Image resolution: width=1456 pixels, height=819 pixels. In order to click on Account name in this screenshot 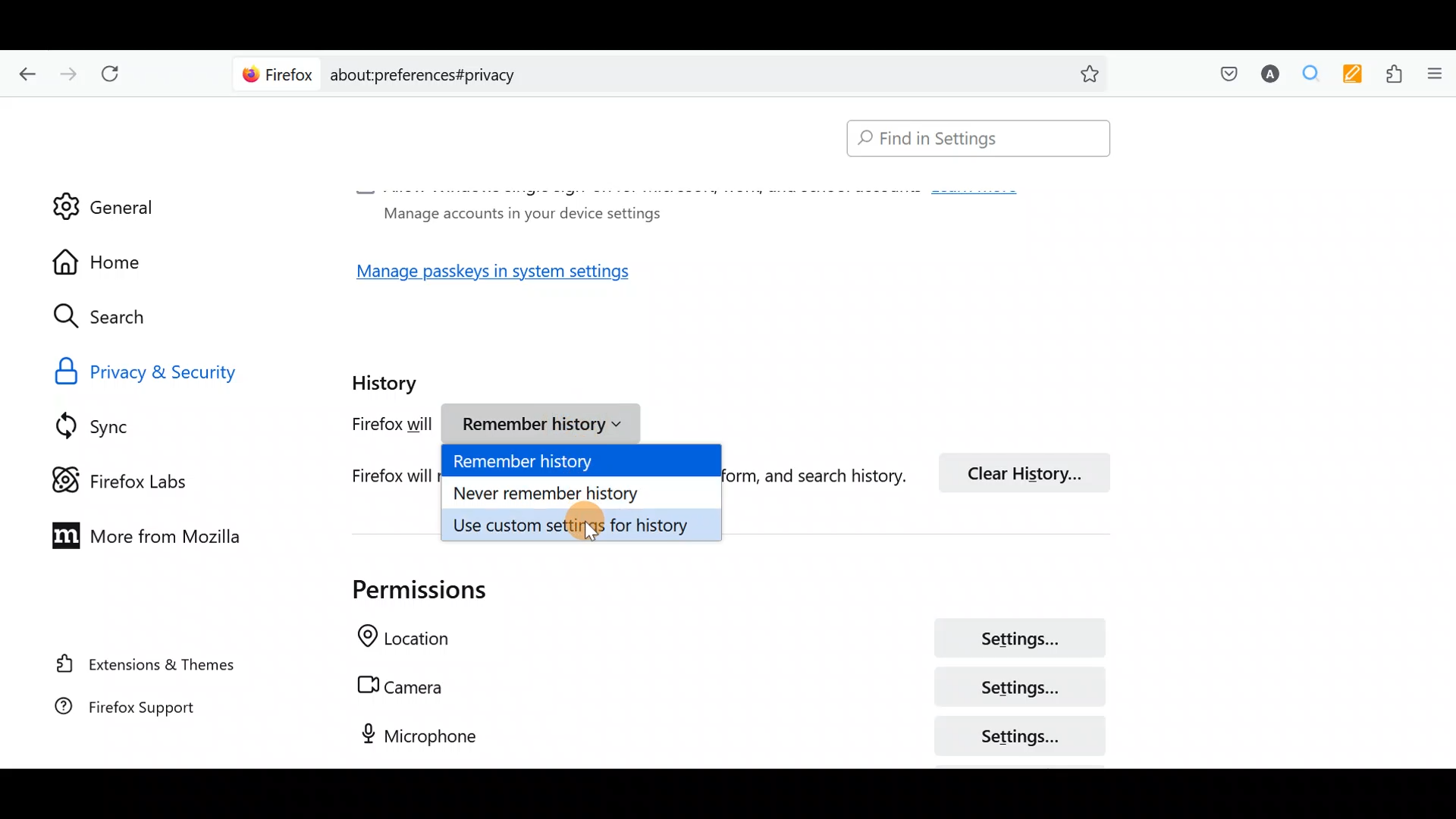, I will do `click(1266, 76)`.